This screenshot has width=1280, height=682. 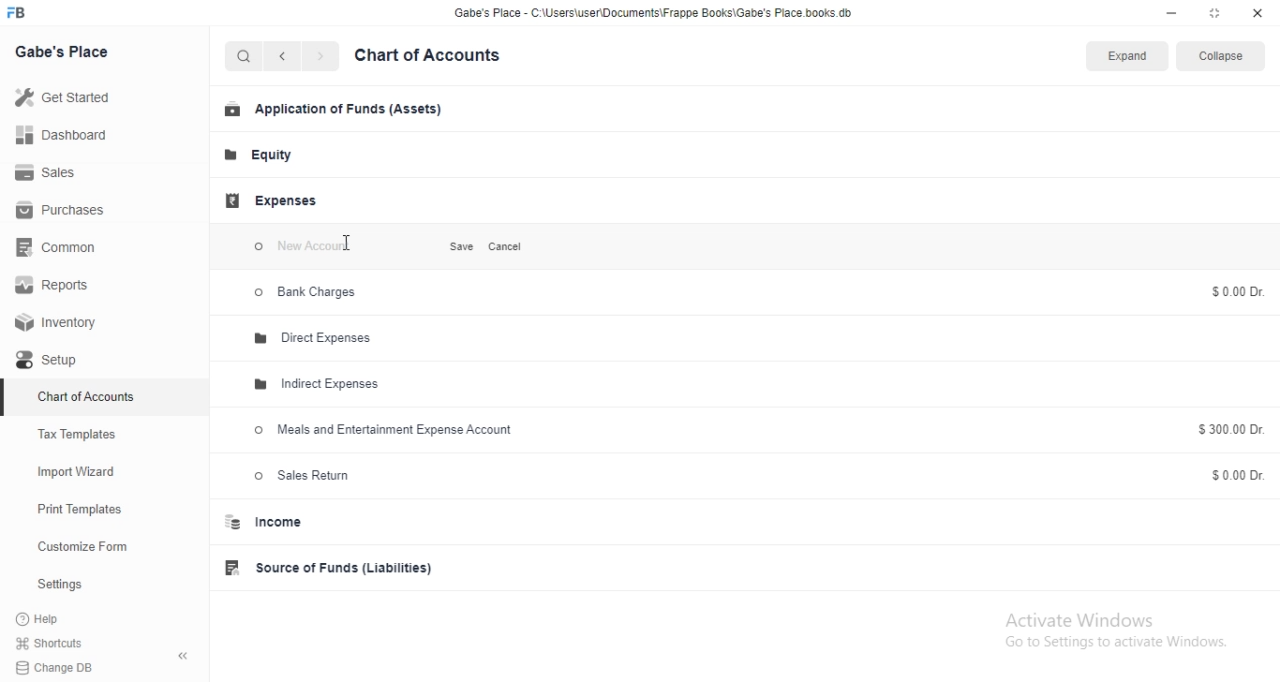 What do you see at coordinates (390, 431) in the screenshot?
I see ` Meals and Entertainment Expense Account` at bounding box center [390, 431].